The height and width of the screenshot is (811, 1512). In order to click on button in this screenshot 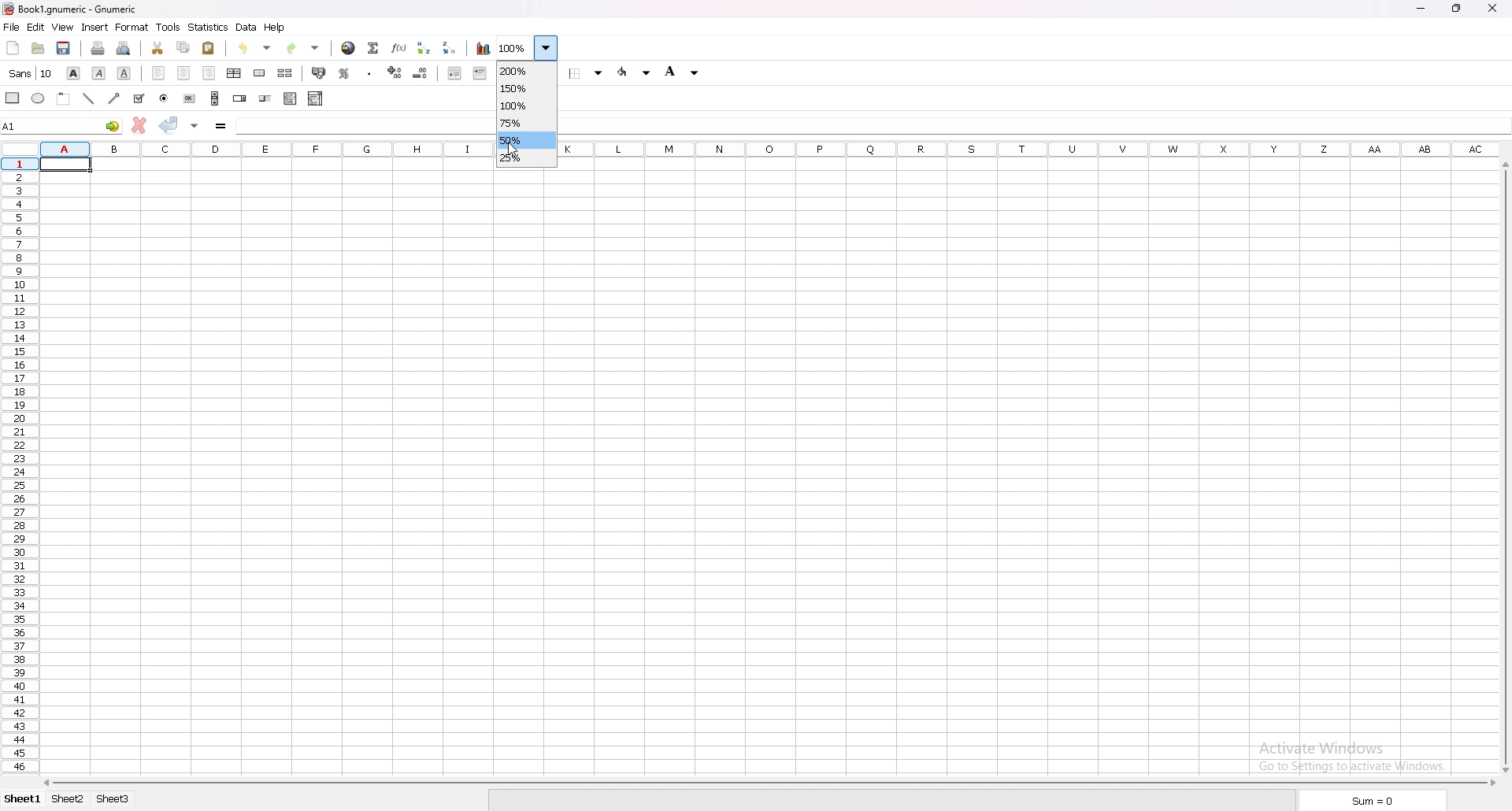, I will do `click(189, 98)`.